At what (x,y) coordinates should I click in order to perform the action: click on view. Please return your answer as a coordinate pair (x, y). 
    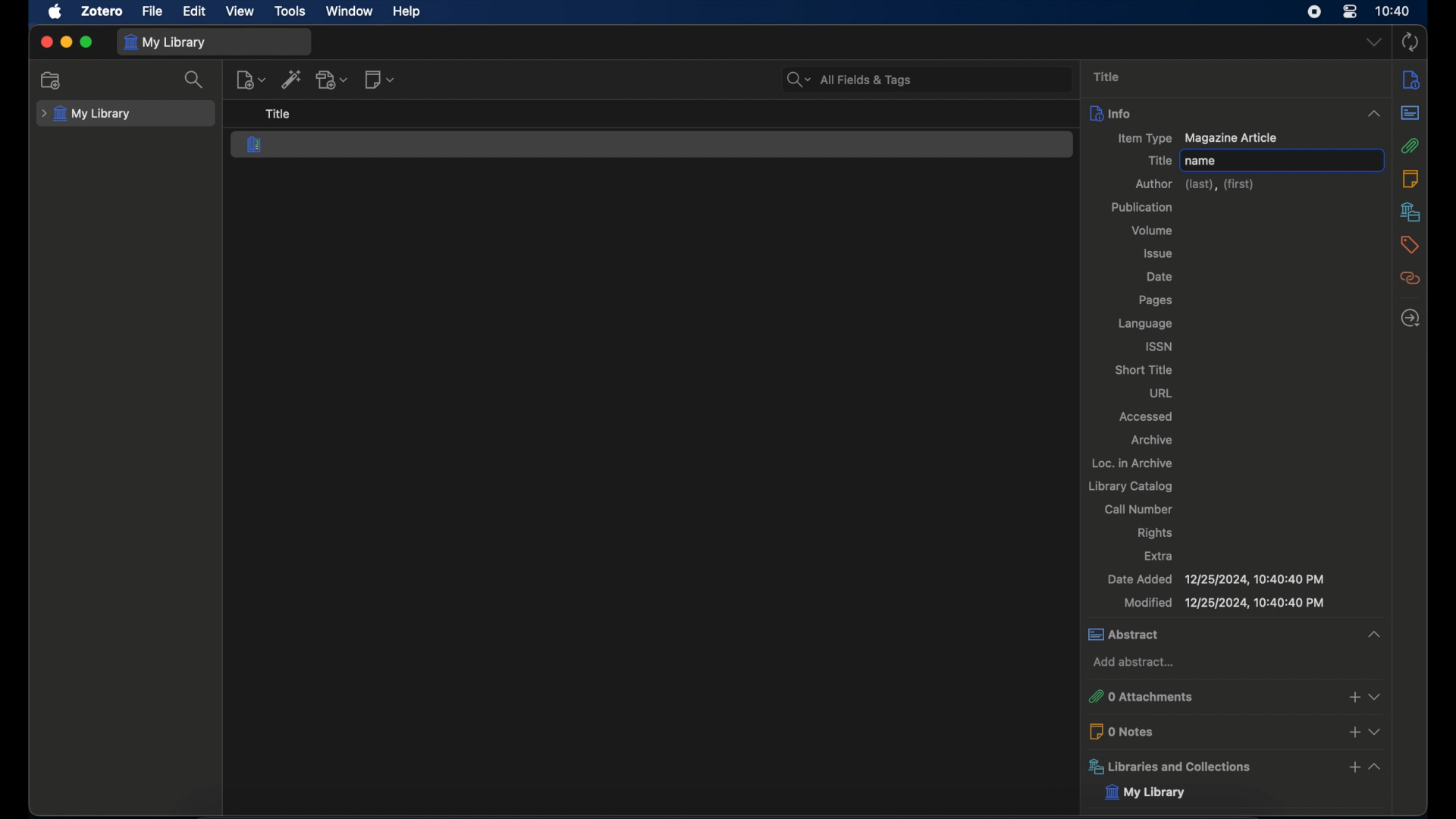
    Looking at the image, I should click on (240, 11).